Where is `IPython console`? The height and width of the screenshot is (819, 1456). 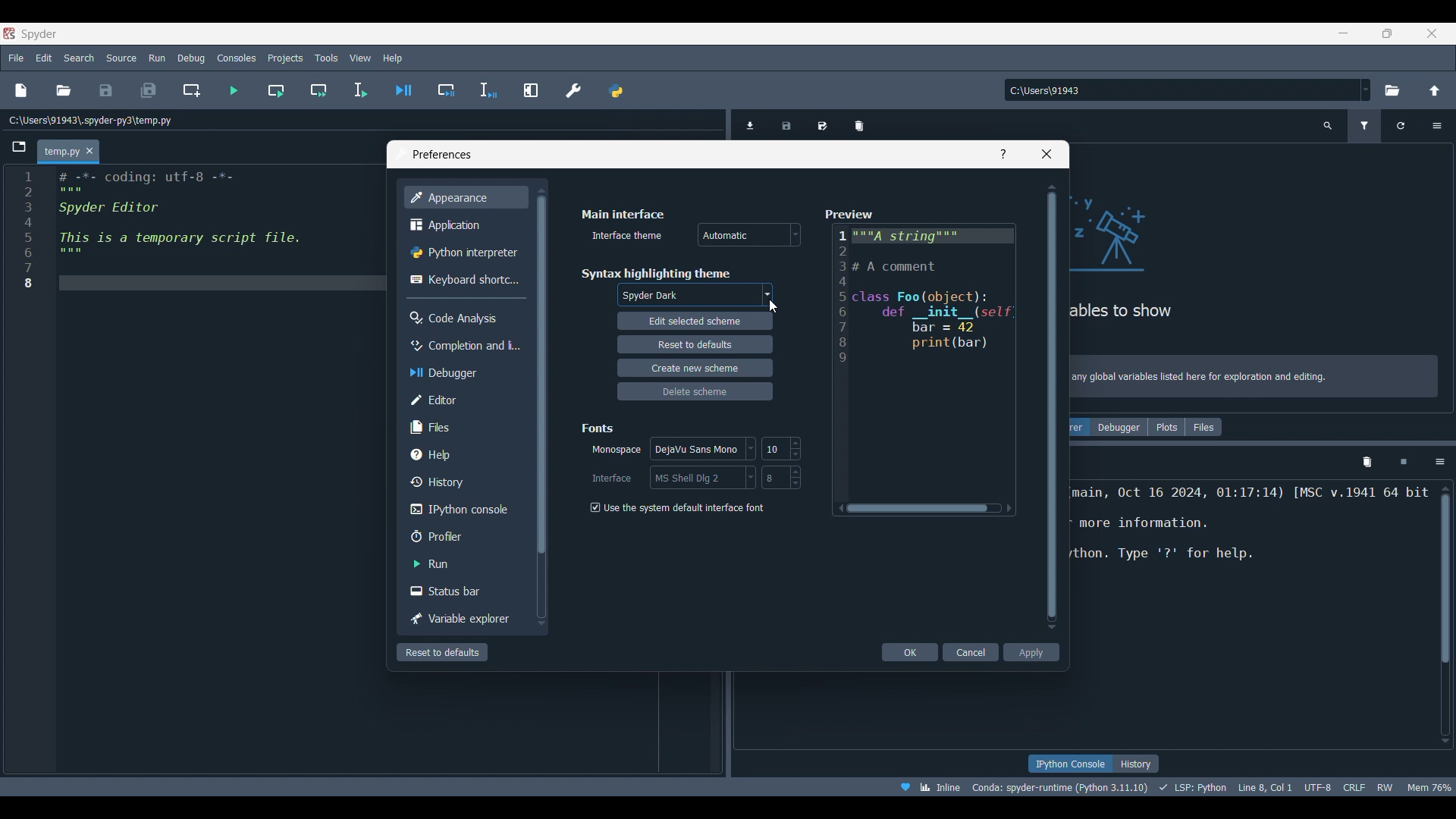
IPython console is located at coordinates (1068, 764).